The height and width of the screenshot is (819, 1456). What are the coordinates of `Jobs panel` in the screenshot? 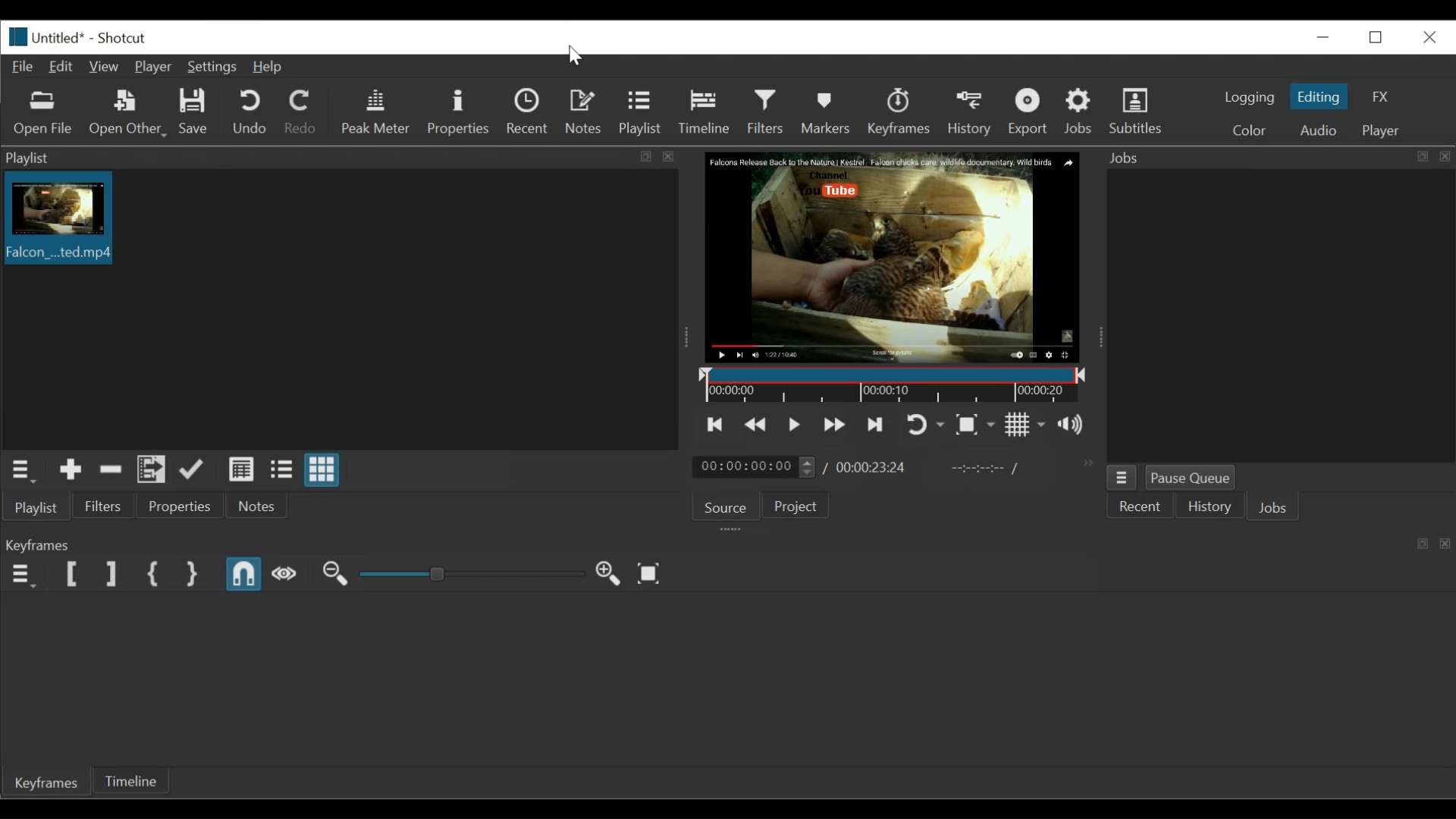 It's located at (1279, 316).